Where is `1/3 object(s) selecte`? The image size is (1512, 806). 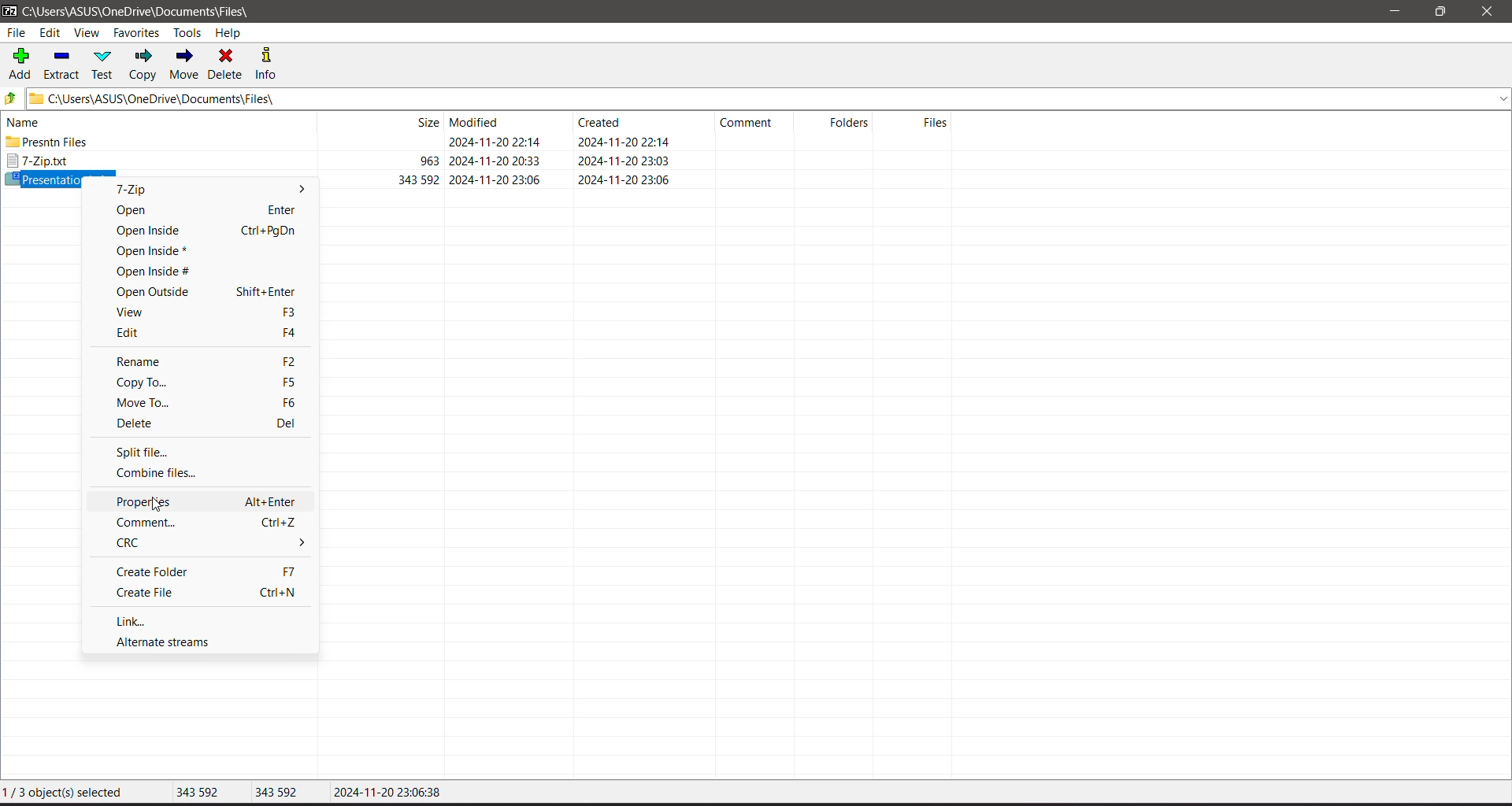
1/3 object(s) selecte is located at coordinates (66, 794).